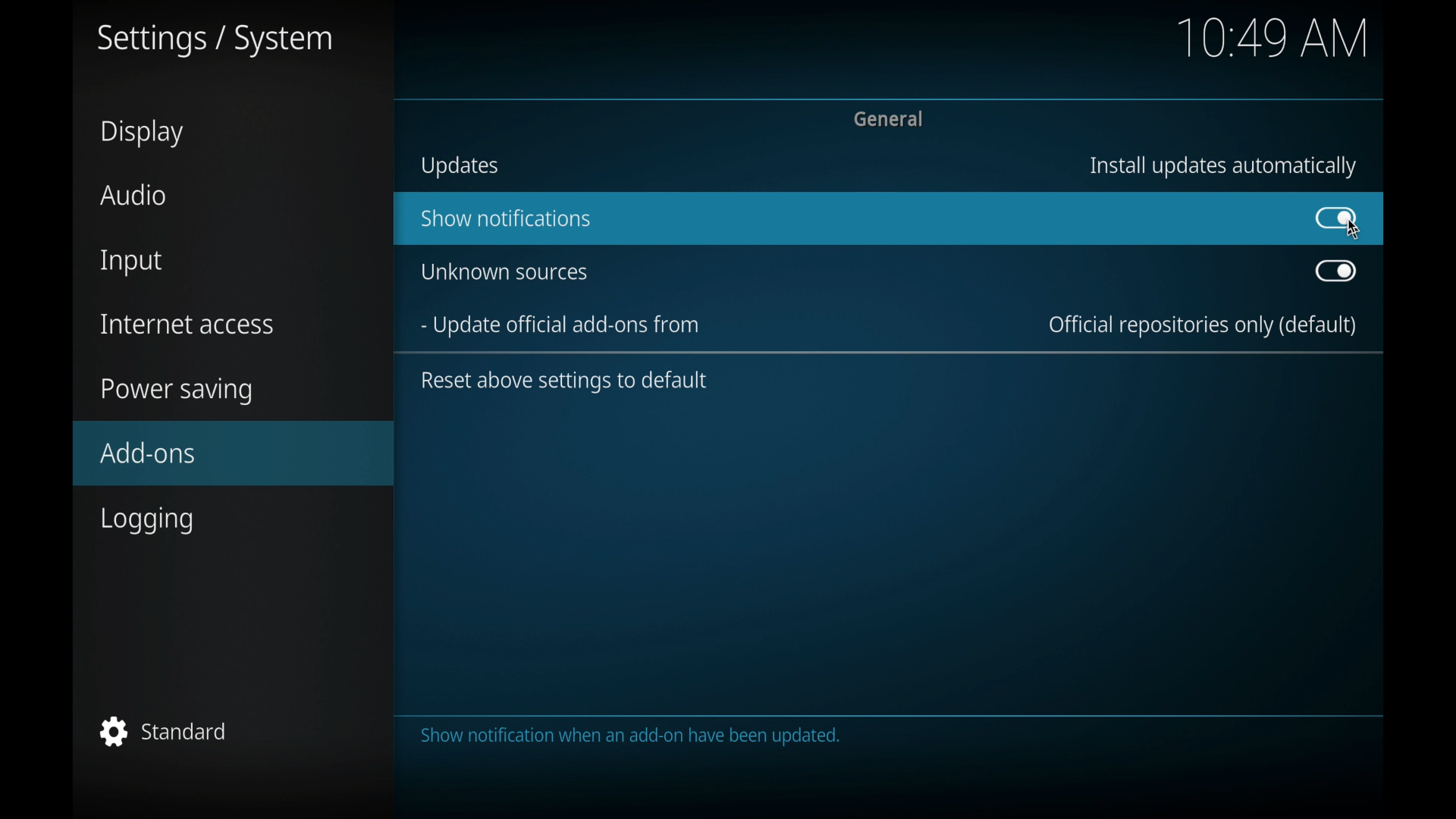  What do you see at coordinates (215, 40) in the screenshot?
I see `settings/system` at bounding box center [215, 40].